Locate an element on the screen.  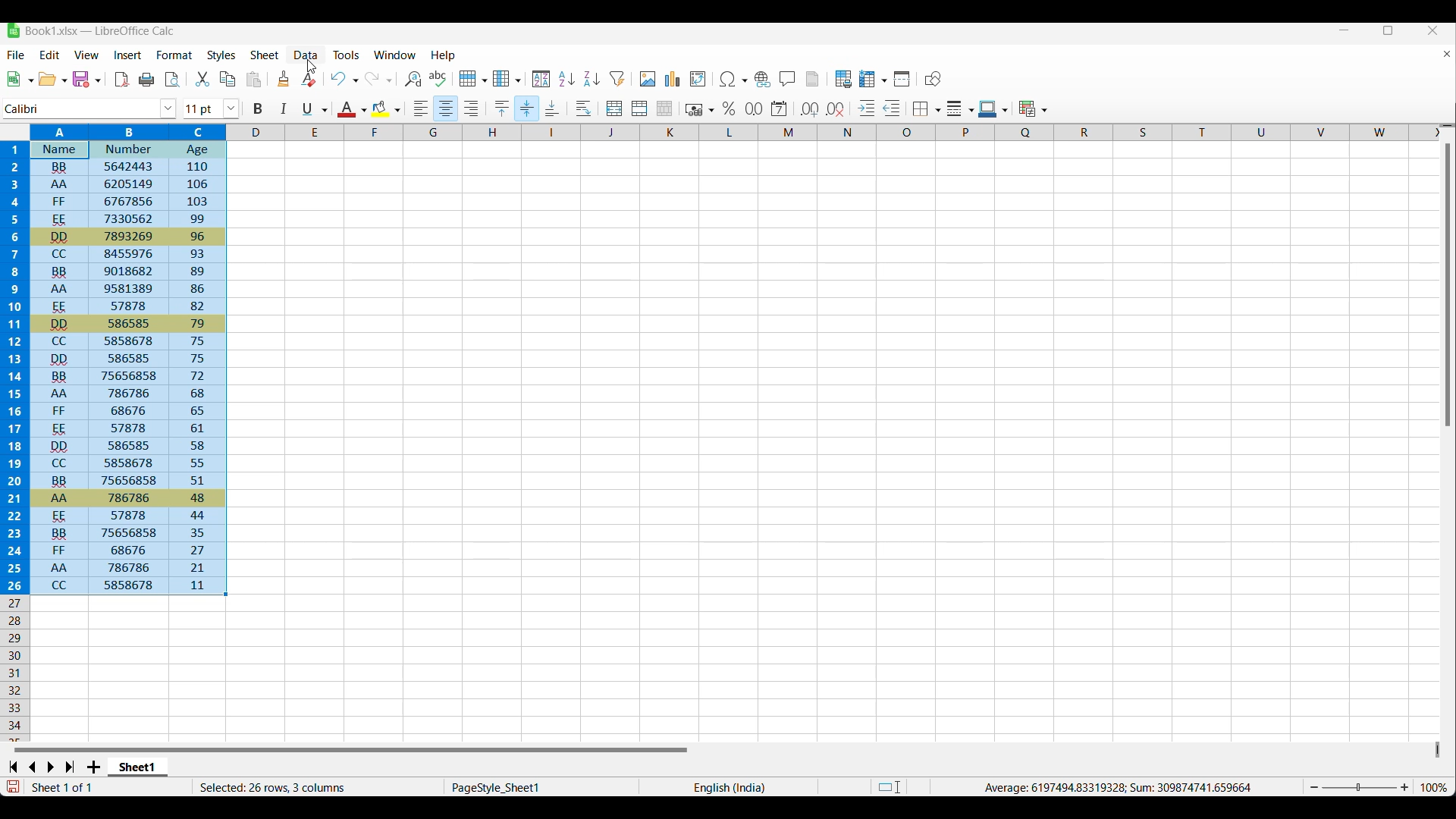
Special character options is located at coordinates (733, 79).